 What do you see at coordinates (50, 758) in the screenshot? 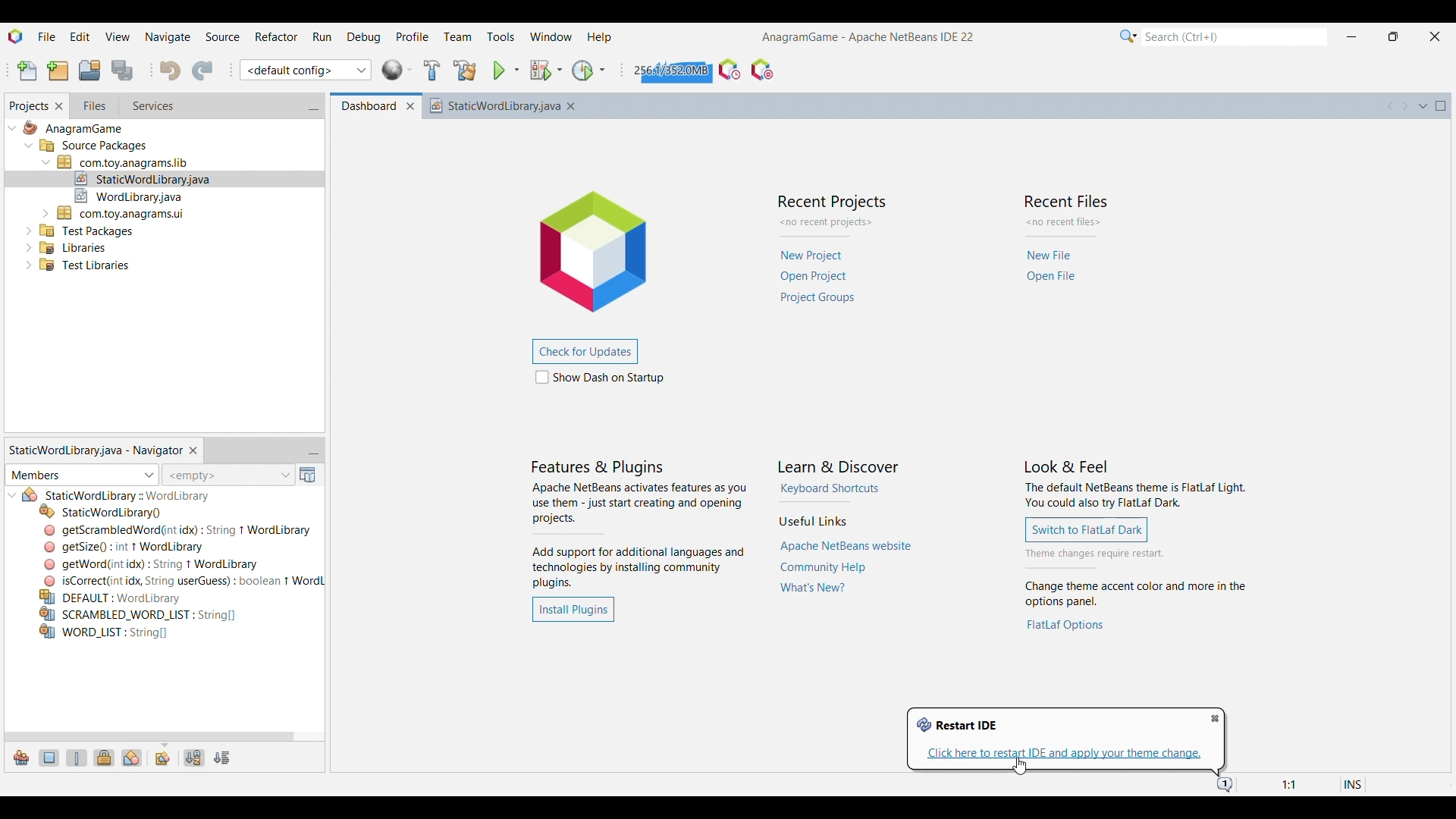
I see `Show fields` at bounding box center [50, 758].